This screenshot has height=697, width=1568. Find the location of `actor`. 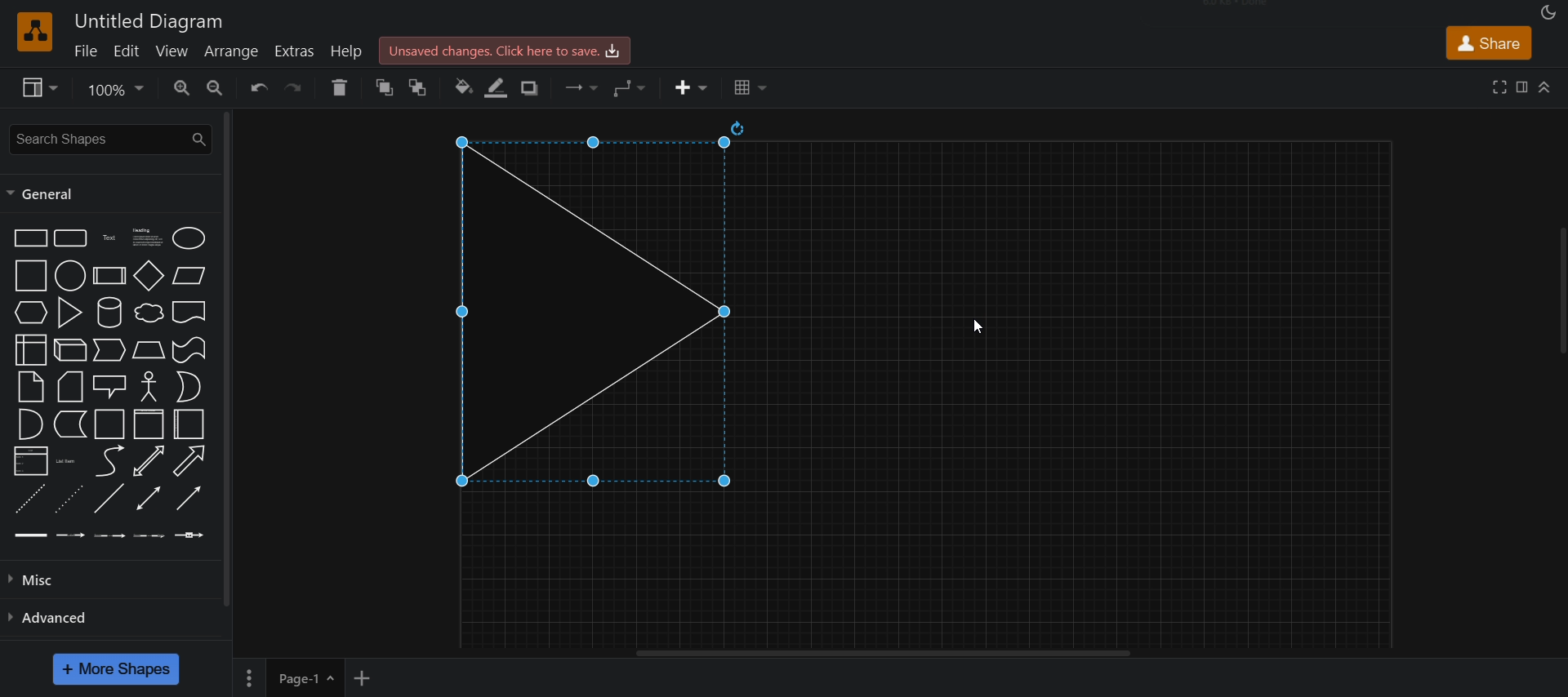

actor is located at coordinates (149, 385).